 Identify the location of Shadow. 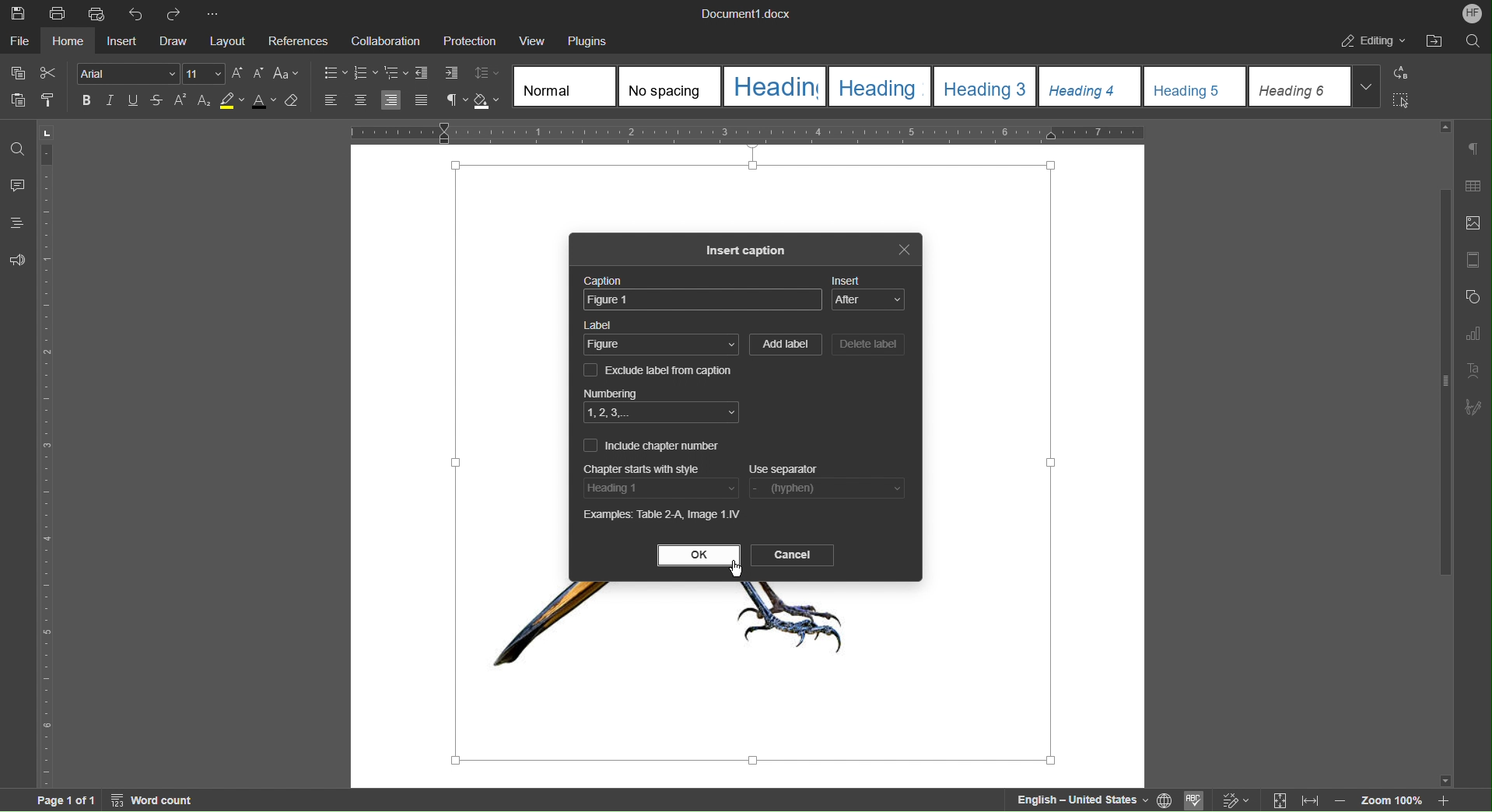
(489, 100).